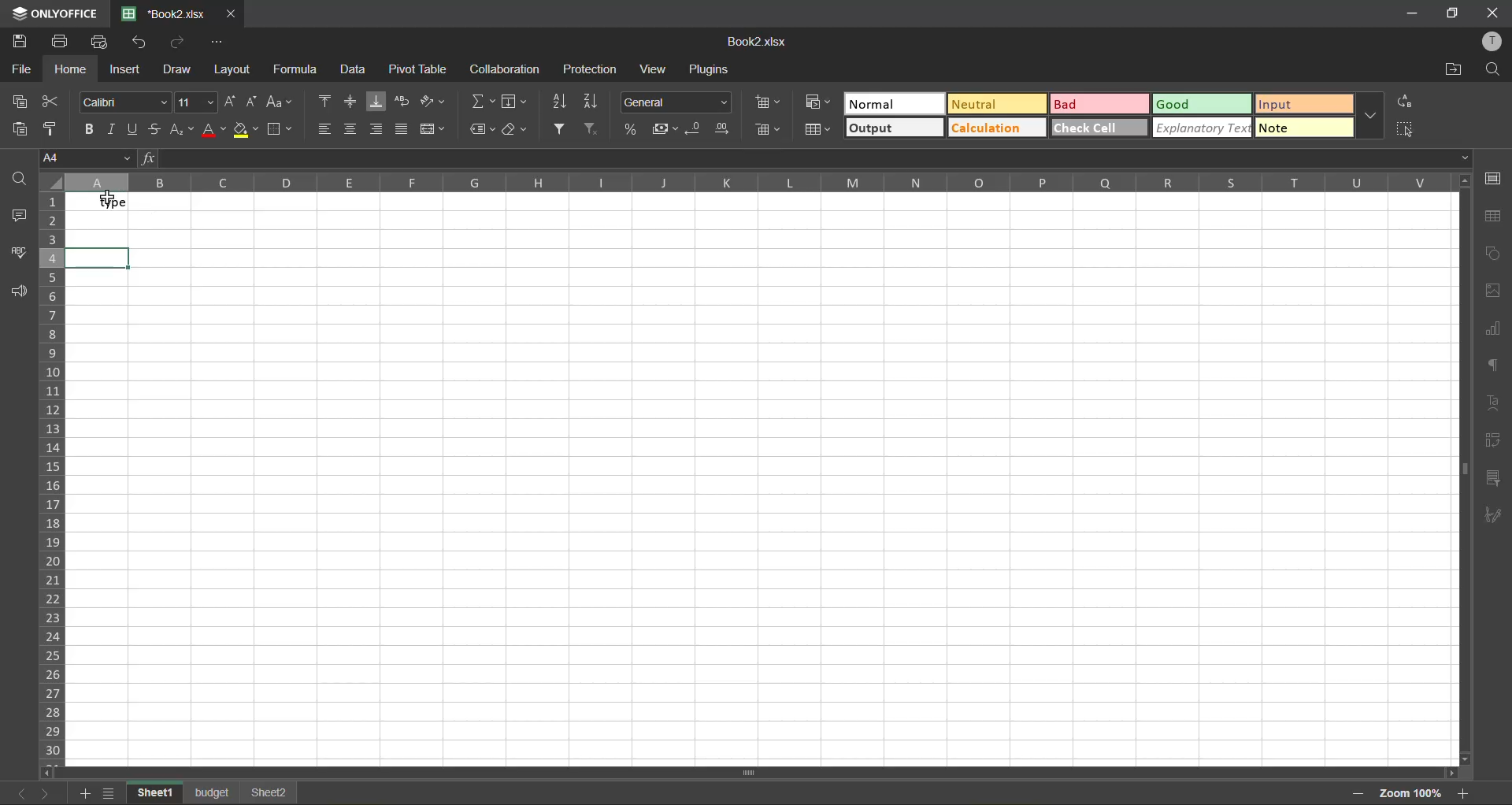 This screenshot has width=1512, height=805. Describe the element at coordinates (180, 43) in the screenshot. I see `redo` at that location.